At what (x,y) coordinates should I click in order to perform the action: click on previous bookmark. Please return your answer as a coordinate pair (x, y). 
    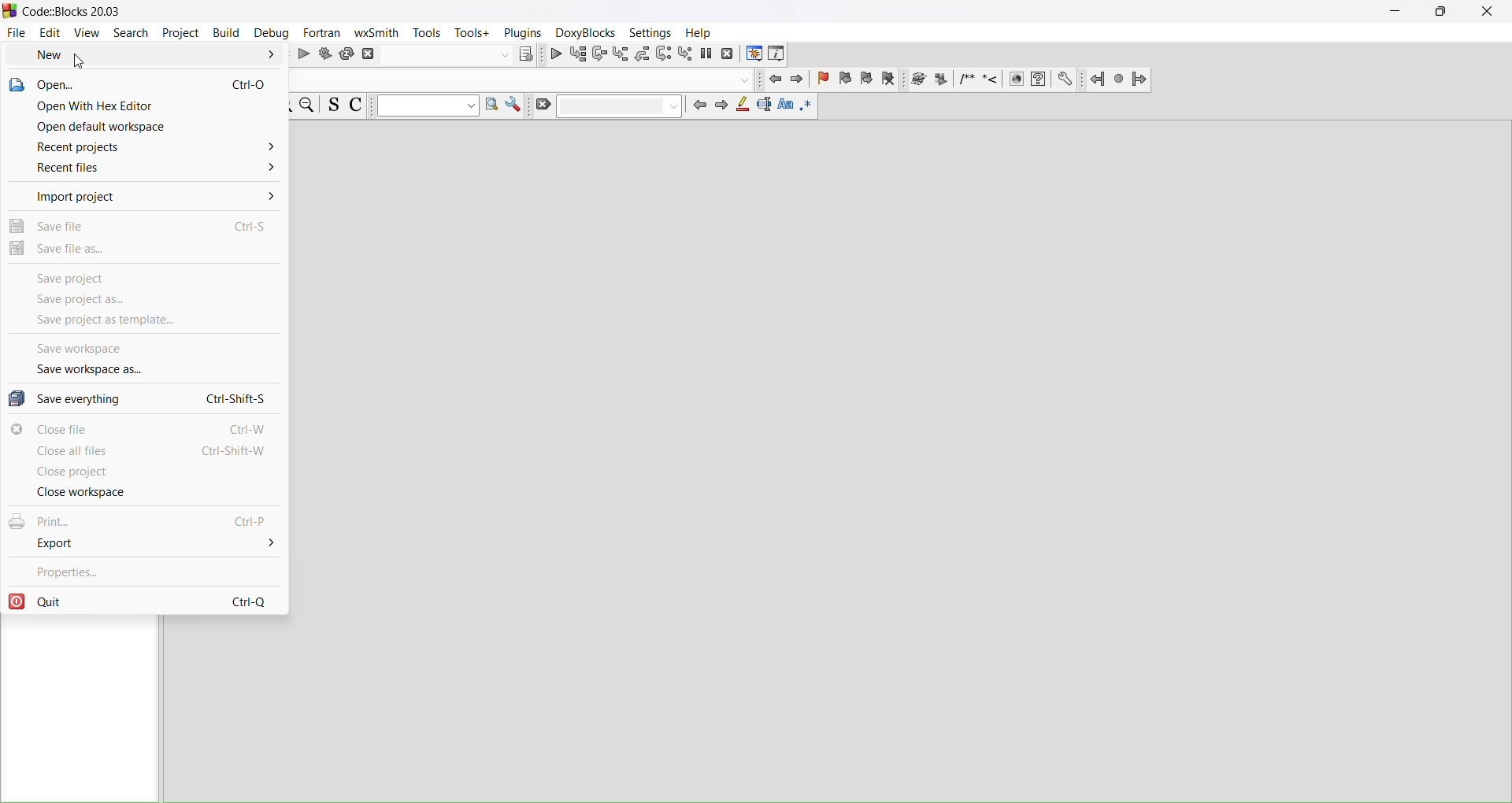
    Looking at the image, I should click on (847, 77).